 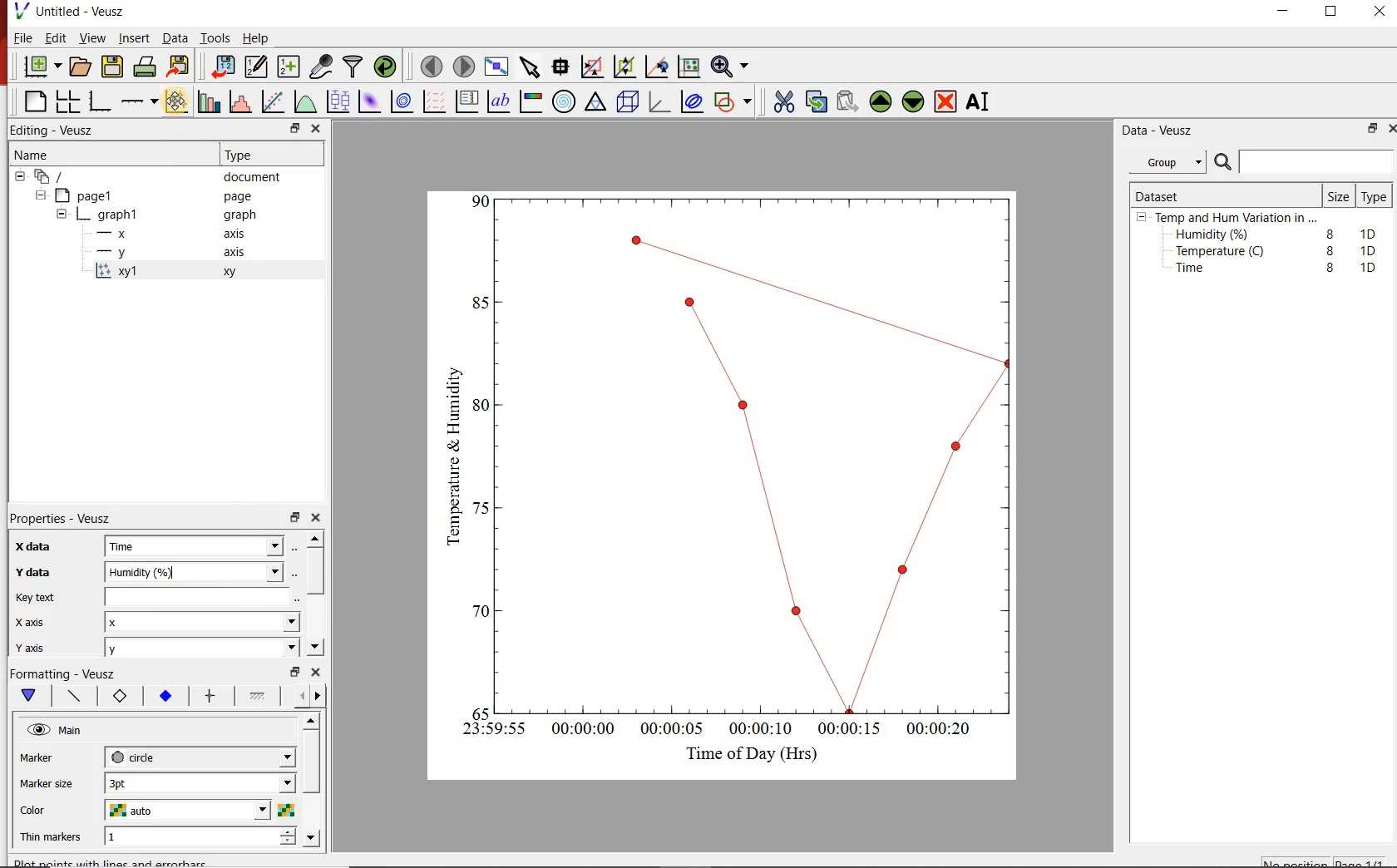 I want to click on Humidity (%), so click(x=1216, y=235).